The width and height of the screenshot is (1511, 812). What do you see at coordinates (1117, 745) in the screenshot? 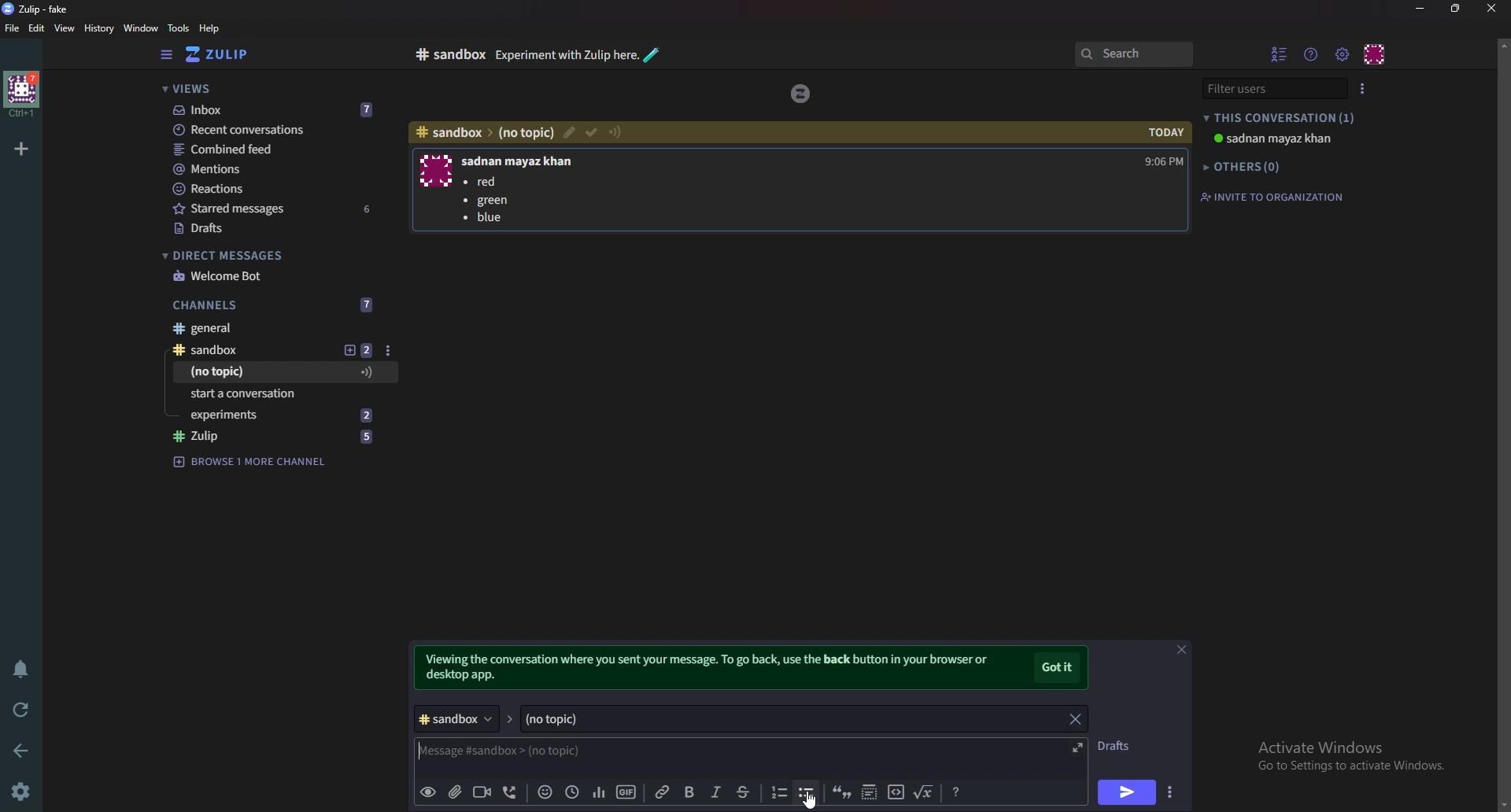
I see `Drafts` at bounding box center [1117, 745].